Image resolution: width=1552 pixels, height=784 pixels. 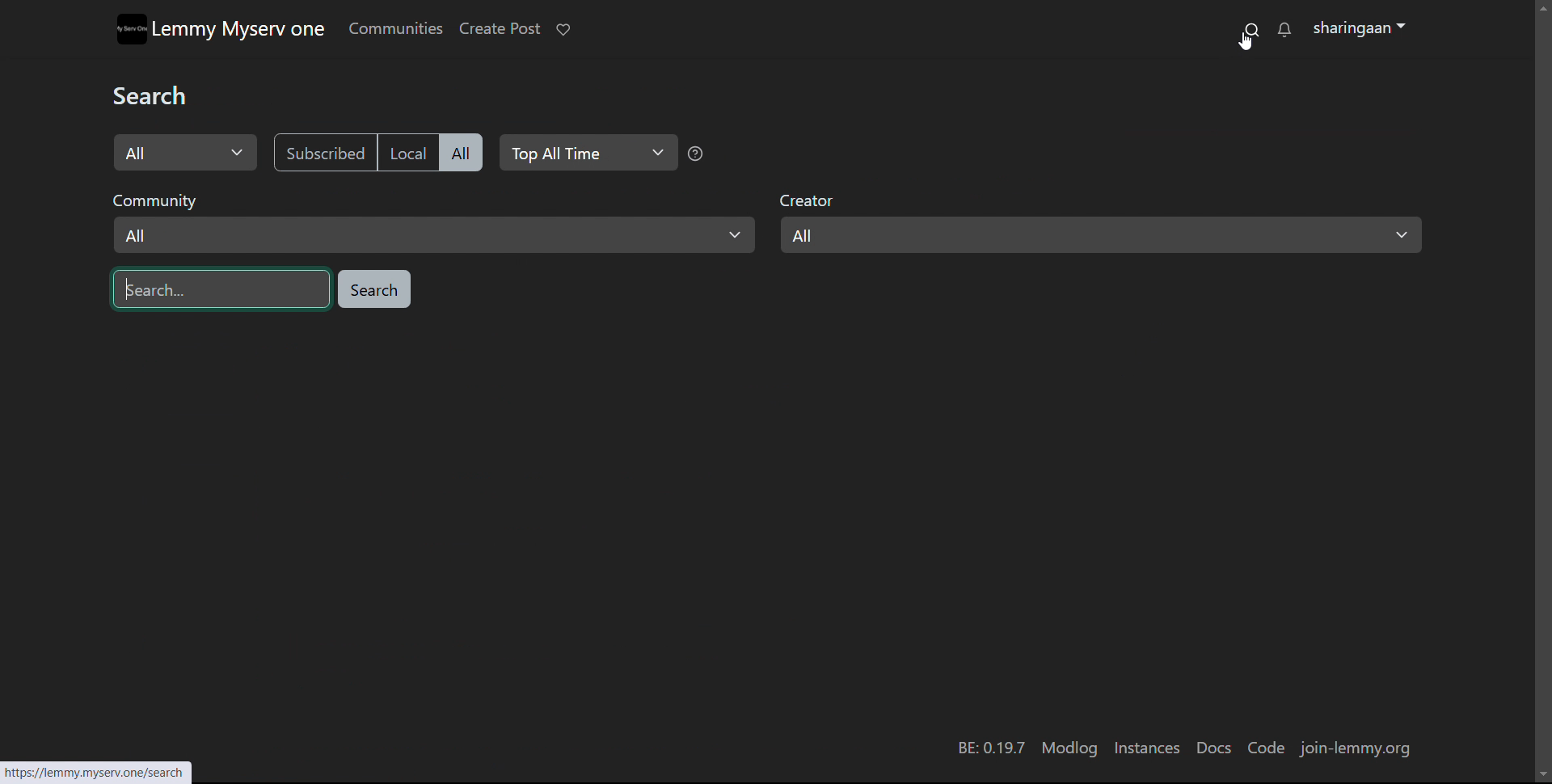 I want to click on link, so click(x=100, y=767).